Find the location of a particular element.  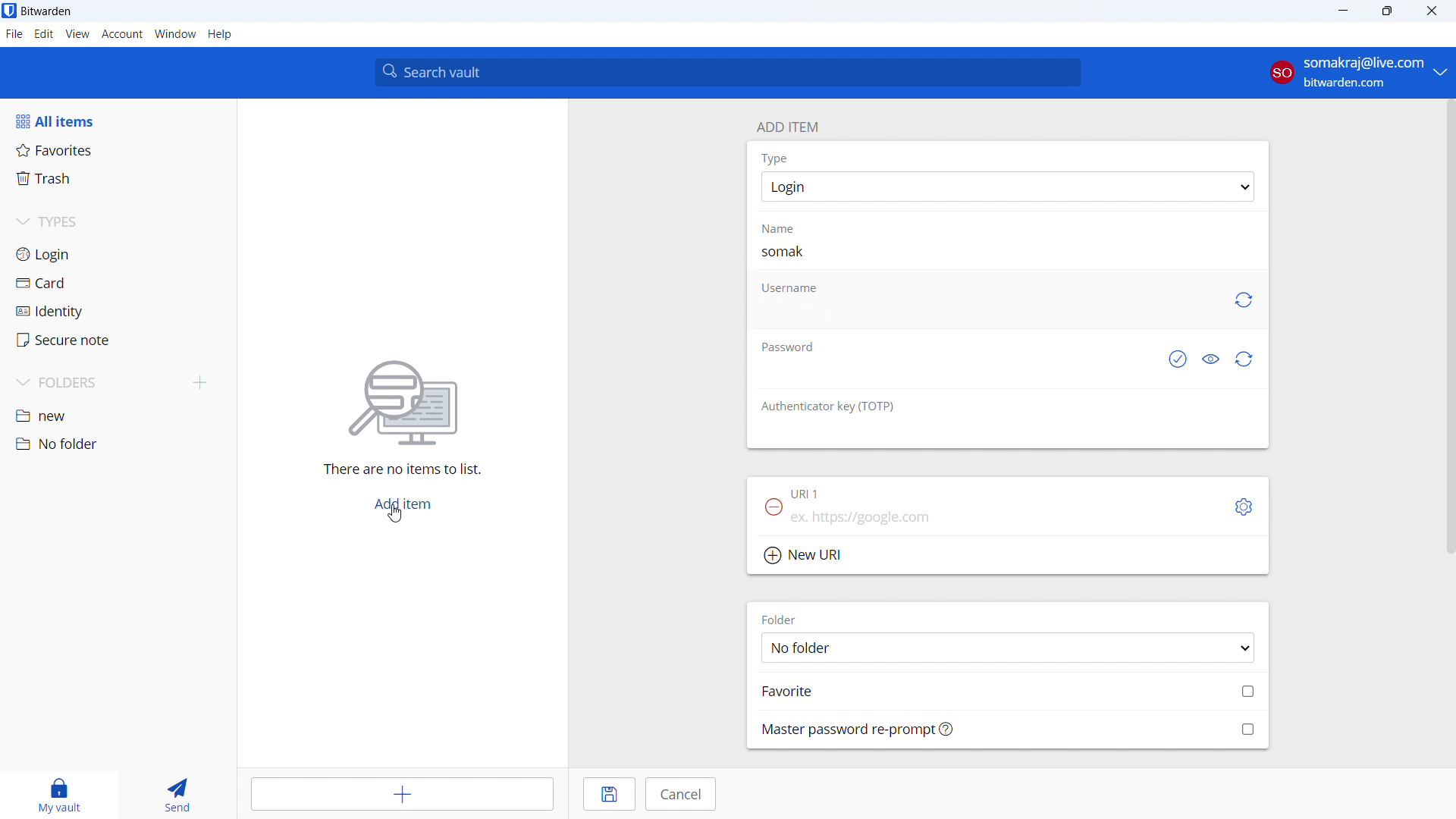

add new url is located at coordinates (1008, 557).